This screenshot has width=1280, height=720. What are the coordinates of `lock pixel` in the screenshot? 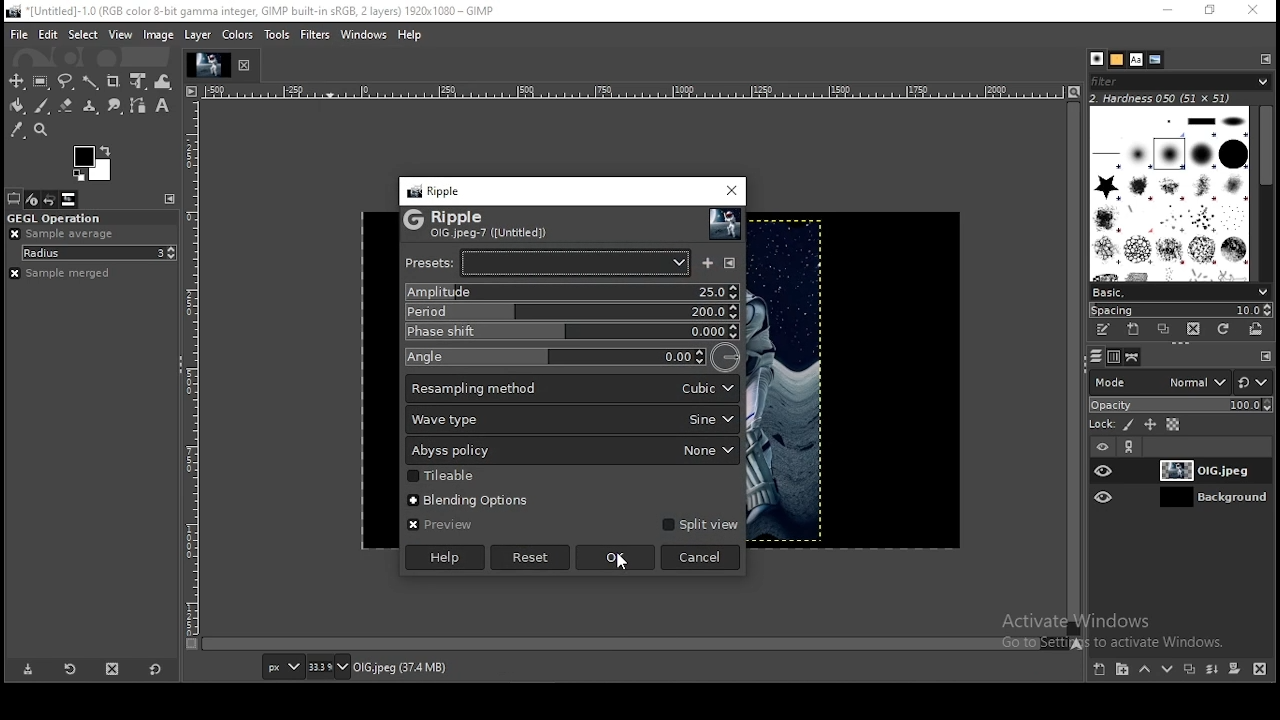 It's located at (1129, 425).